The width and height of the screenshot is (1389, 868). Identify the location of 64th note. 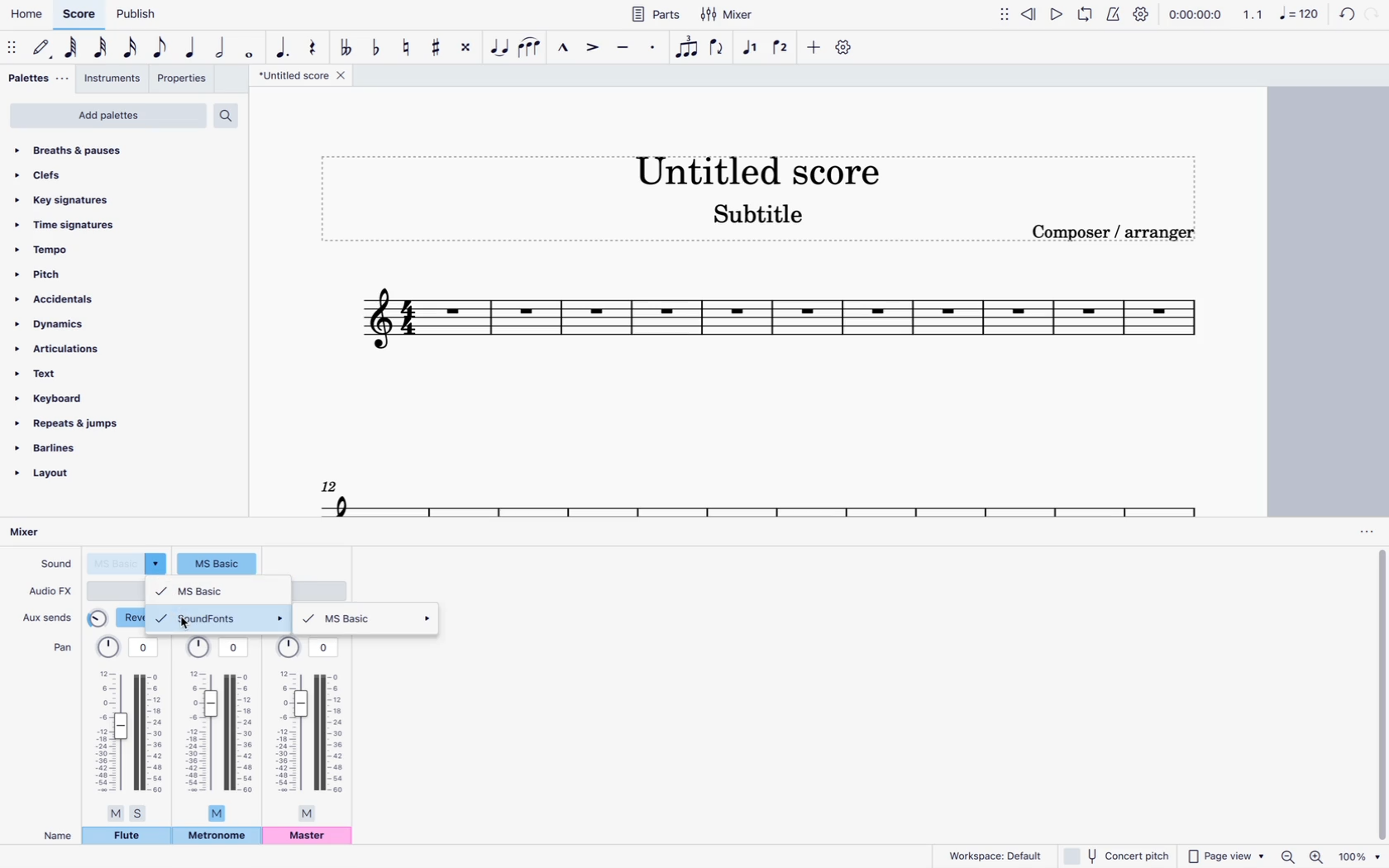
(73, 48).